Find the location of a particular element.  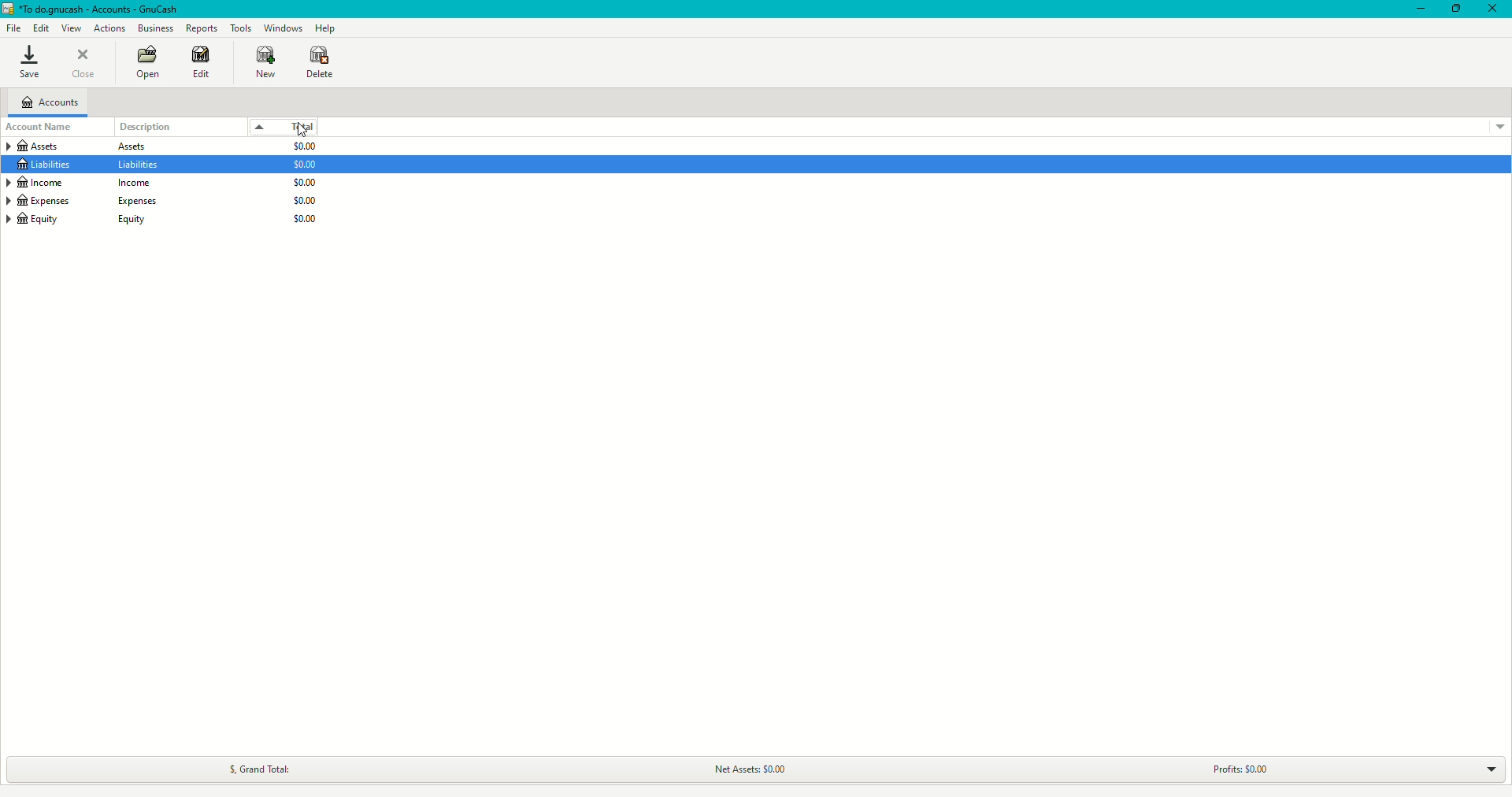

Actions is located at coordinates (108, 28).